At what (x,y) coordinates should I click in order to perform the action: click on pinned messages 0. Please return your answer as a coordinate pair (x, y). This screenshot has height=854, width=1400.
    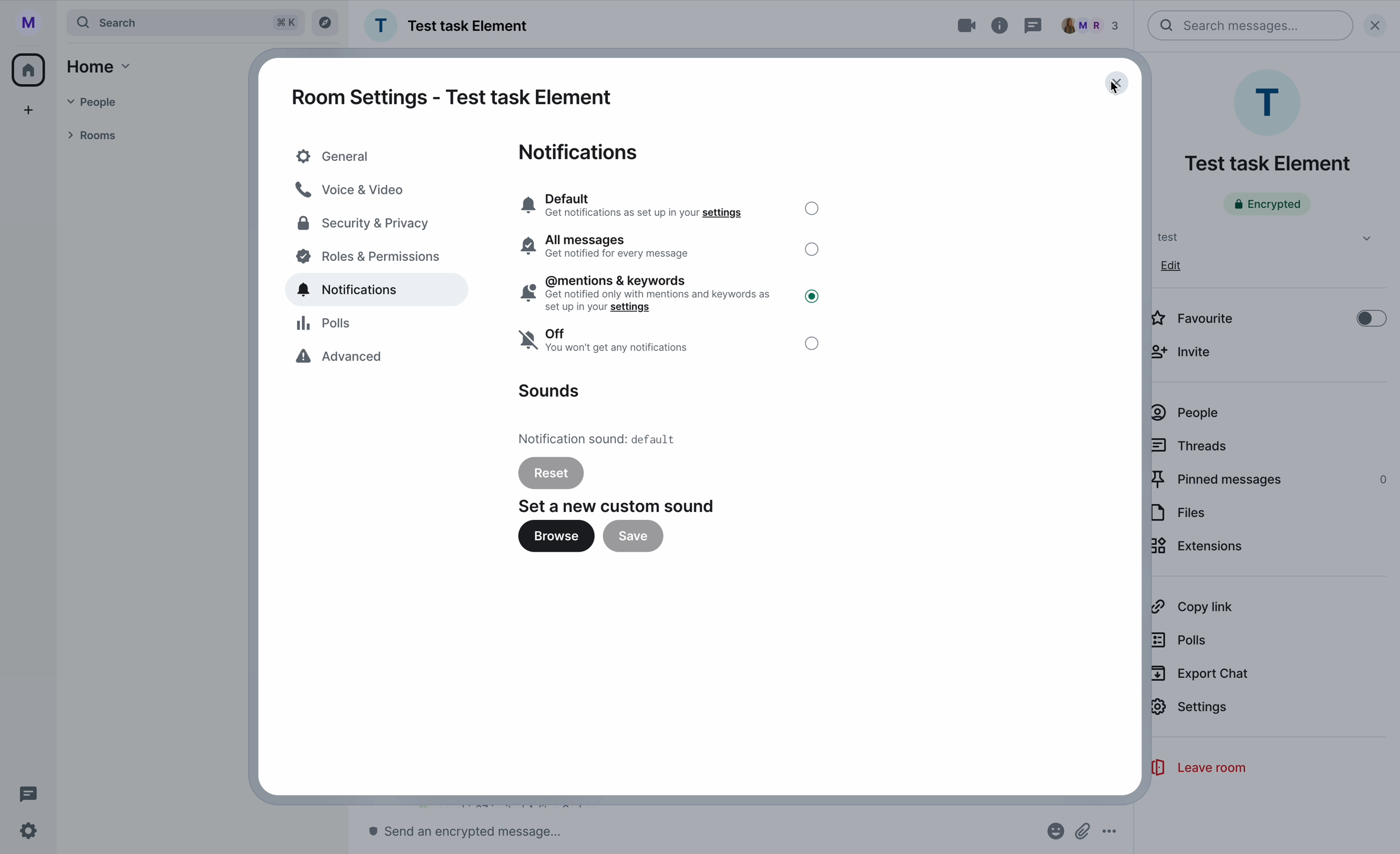
    Looking at the image, I should click on (1270, 480).